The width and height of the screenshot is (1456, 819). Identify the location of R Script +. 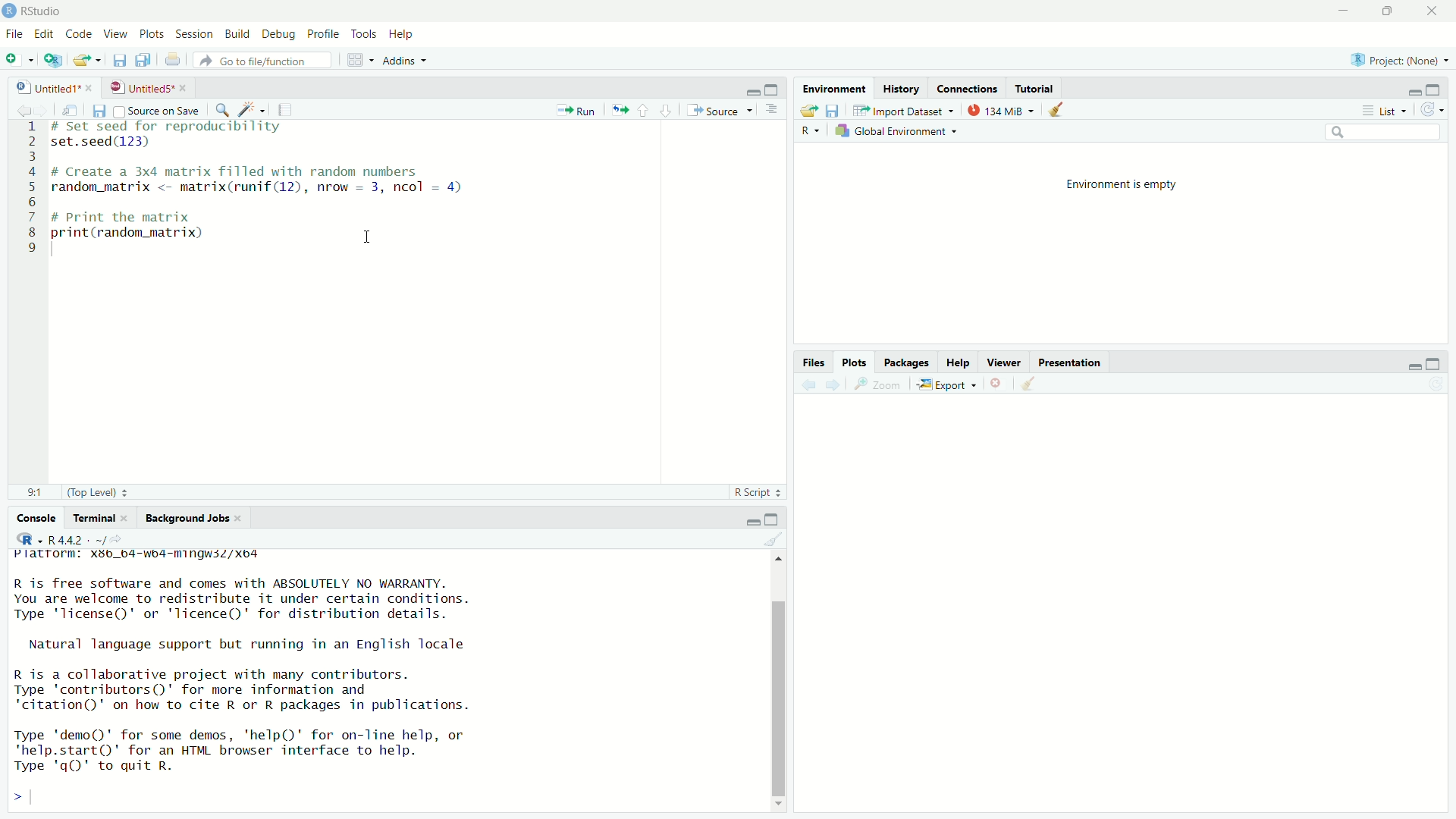
(755, 491).